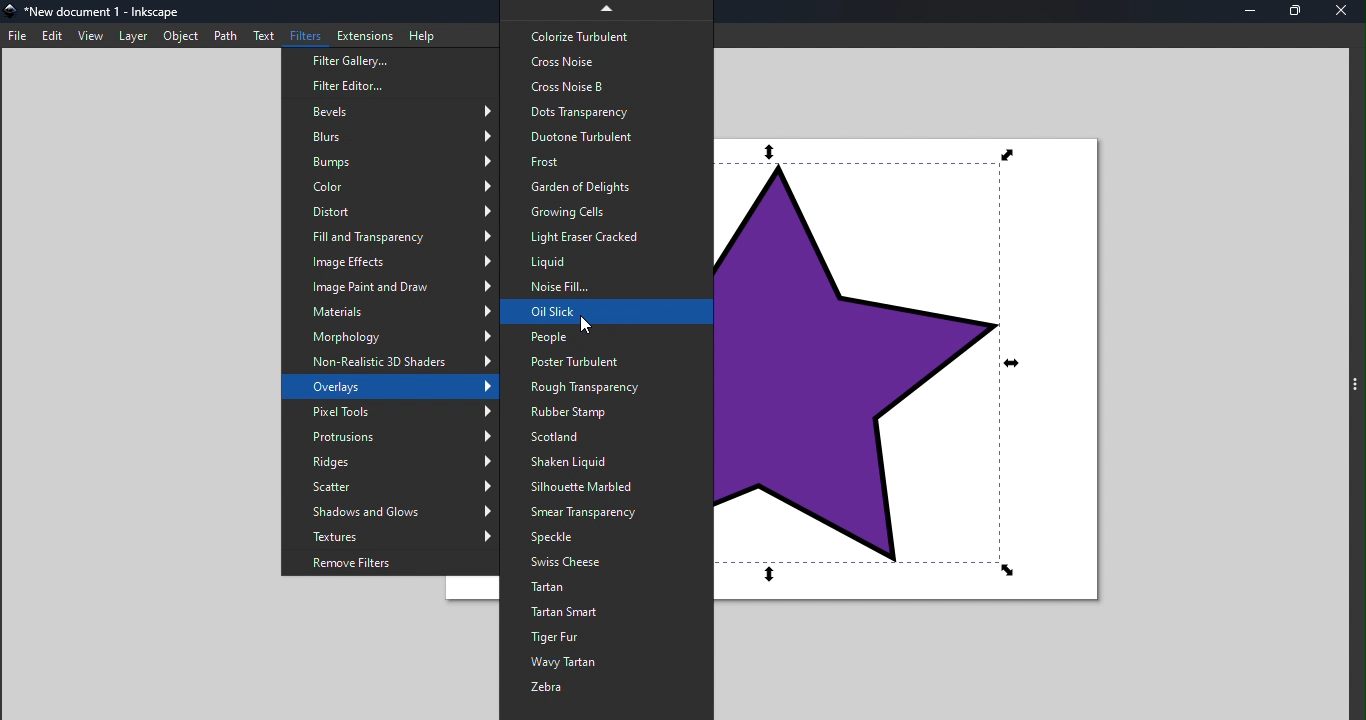 Image resolution: width=1366 pixels, height=720 pixels. I want to click on Tartan, so click(606, 588).